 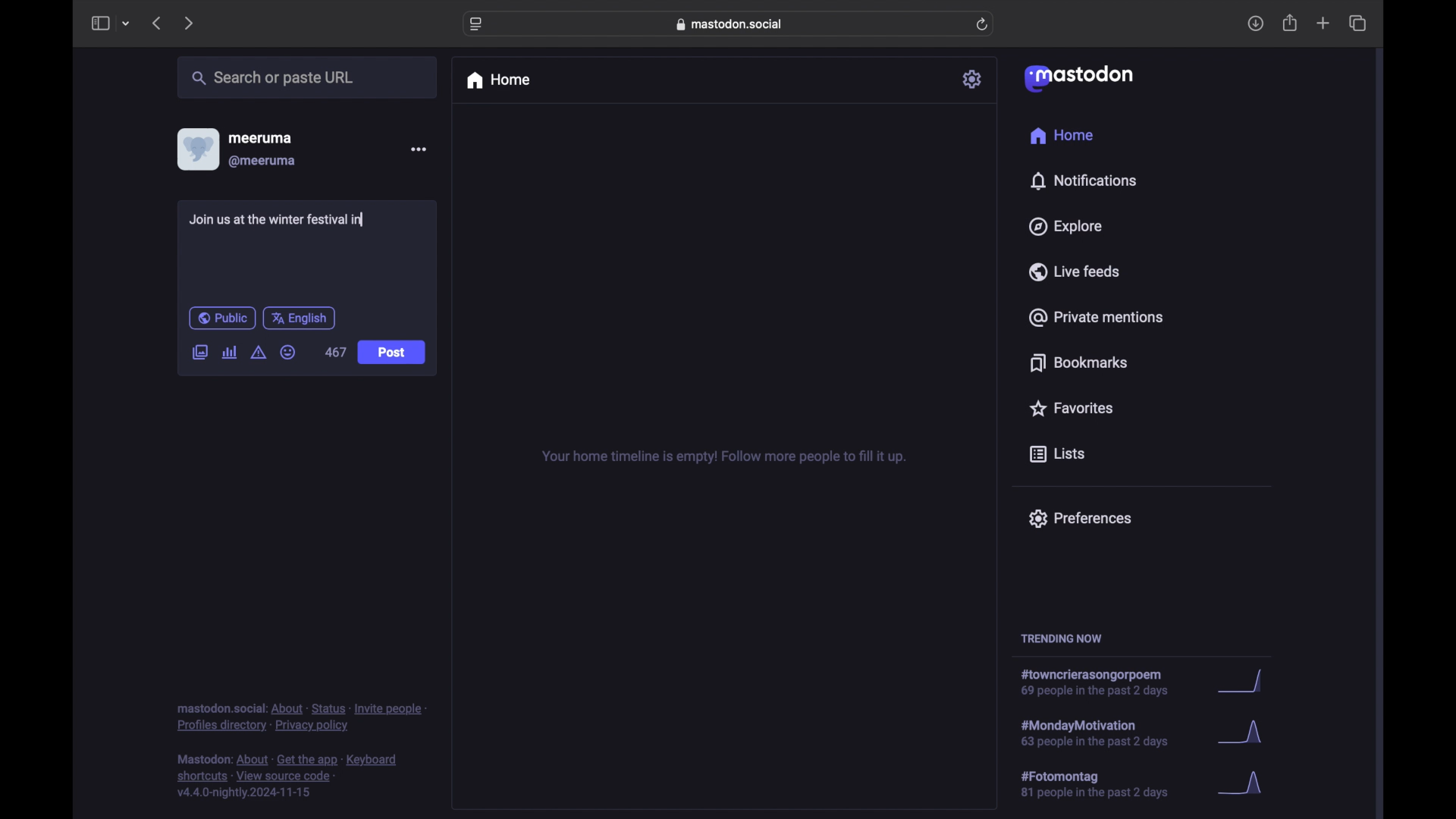 I want to click on home, so click(x=497, y=80).